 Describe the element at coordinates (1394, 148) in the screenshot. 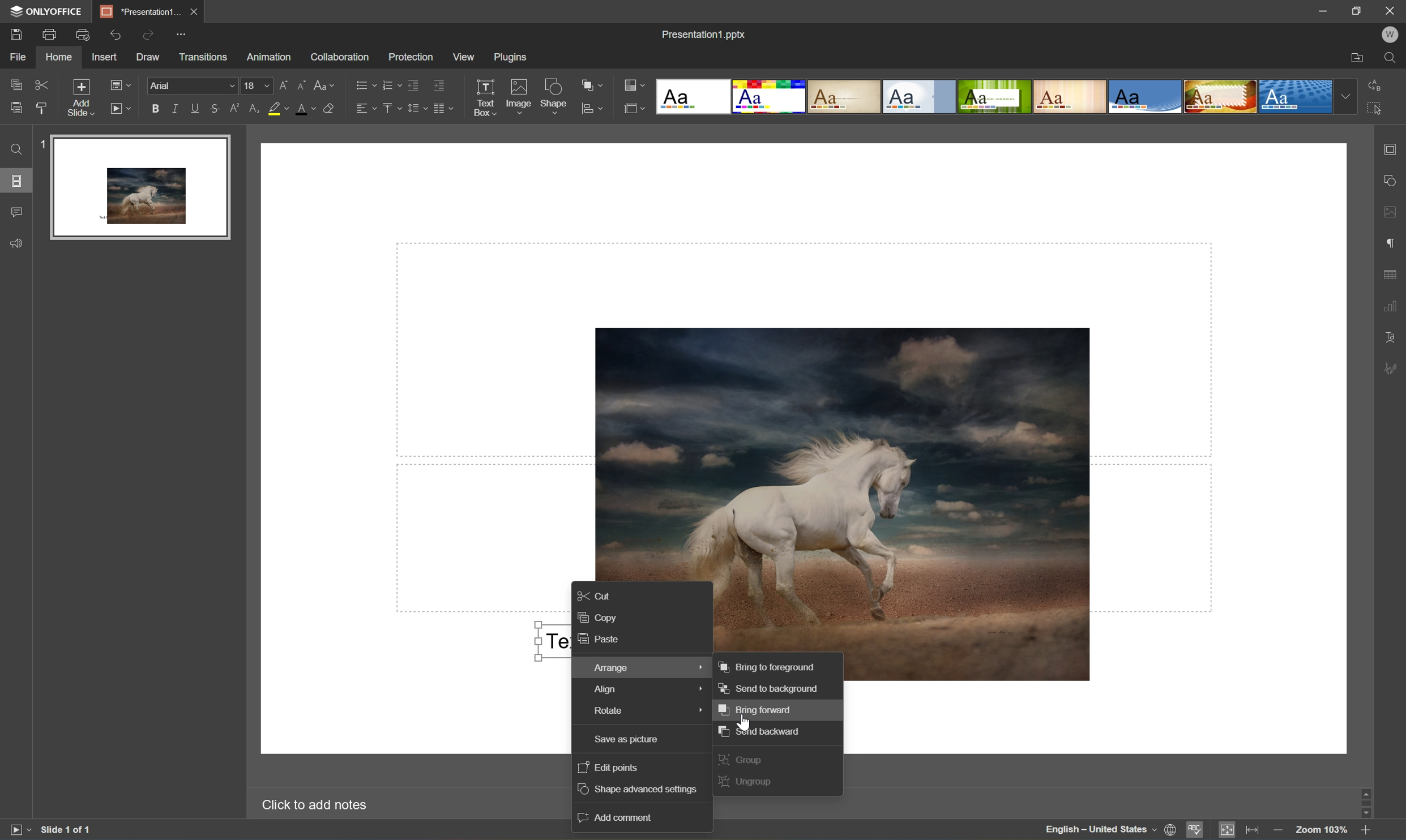

I see `Slide settings` at that location.